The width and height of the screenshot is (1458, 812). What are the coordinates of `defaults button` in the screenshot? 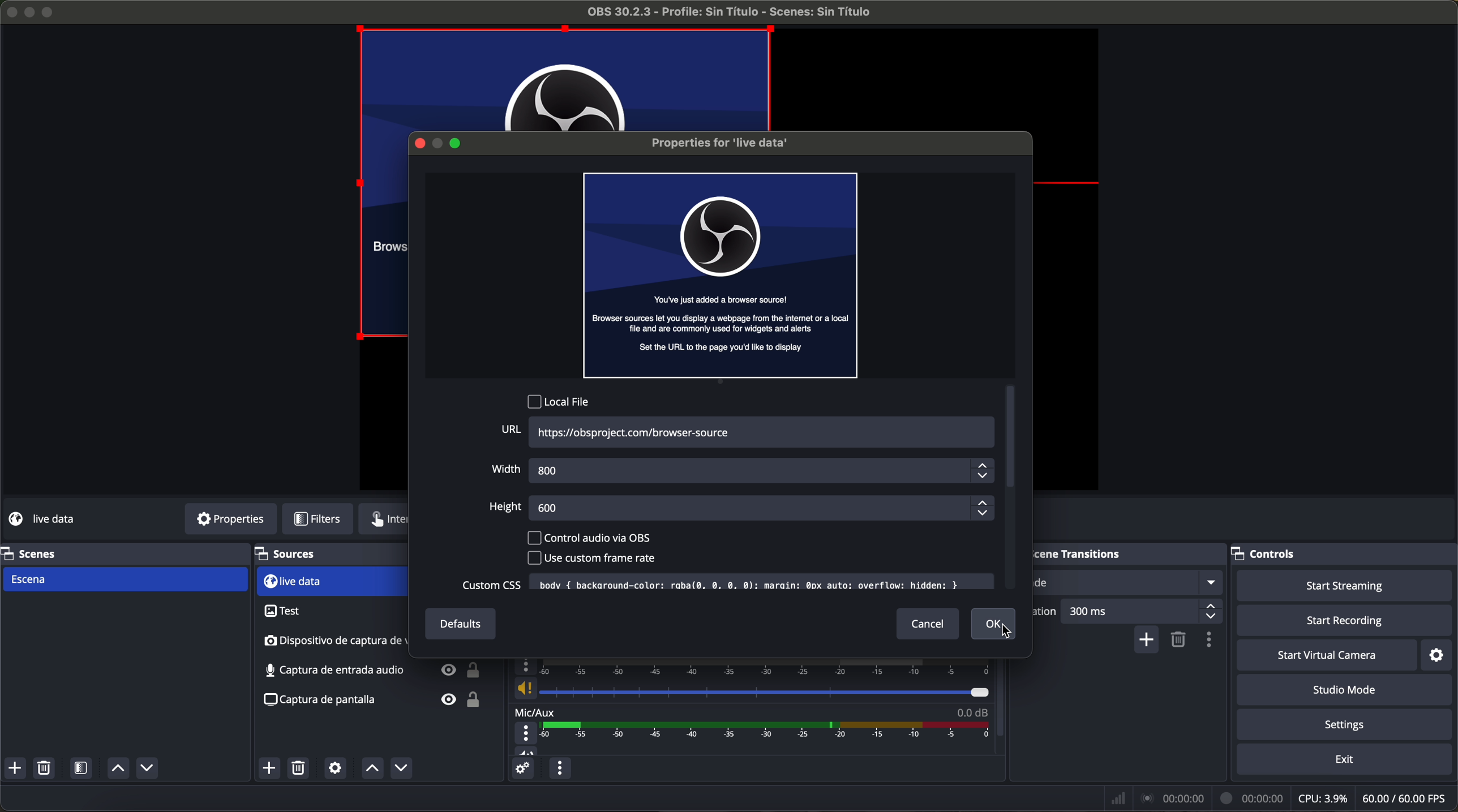 It's located at (458, 624).